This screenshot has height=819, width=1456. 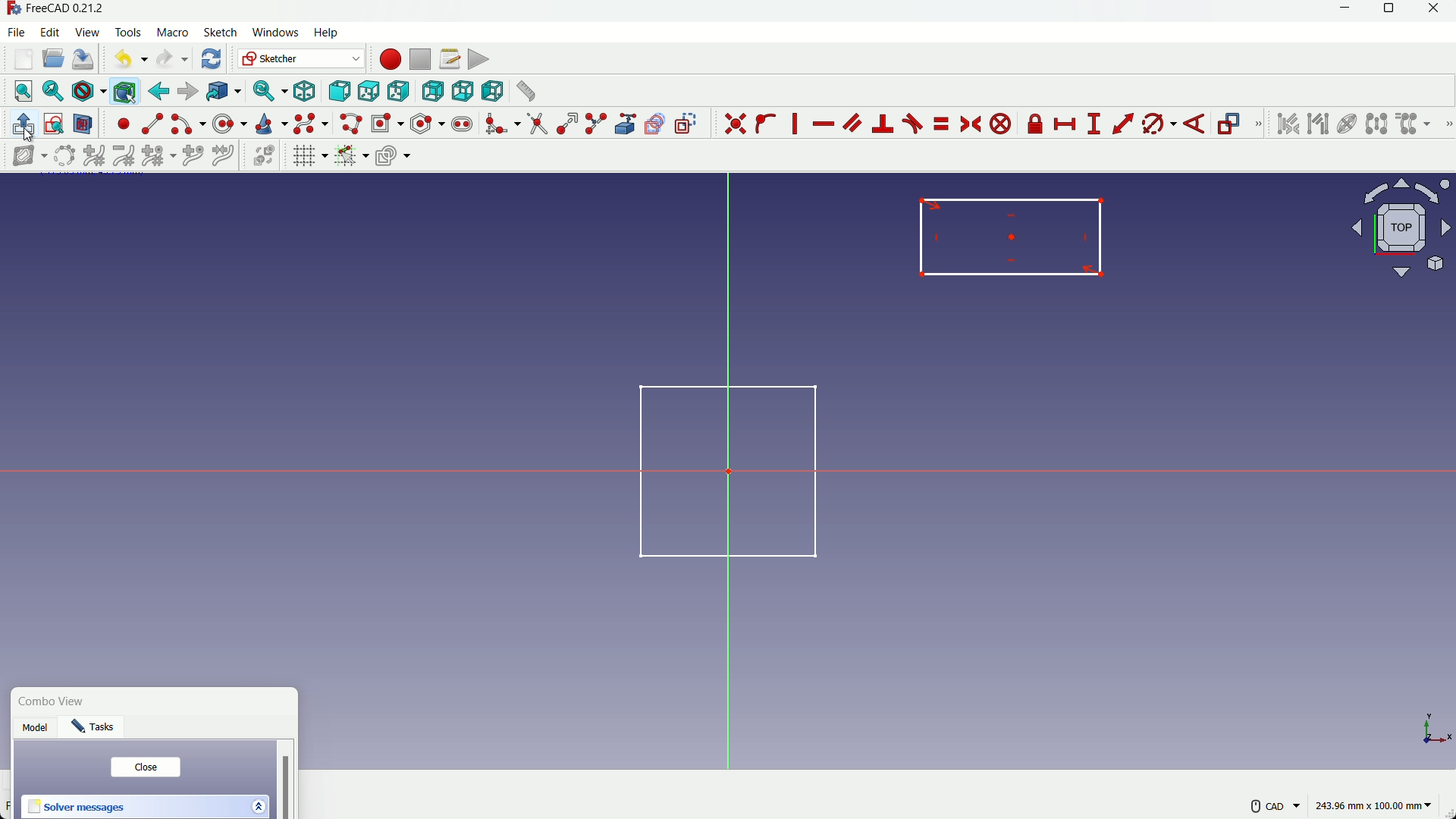 What do you see at coordinates (270, 123) in the screenshot?
I see `create conic` at bounding box center [270, 123].